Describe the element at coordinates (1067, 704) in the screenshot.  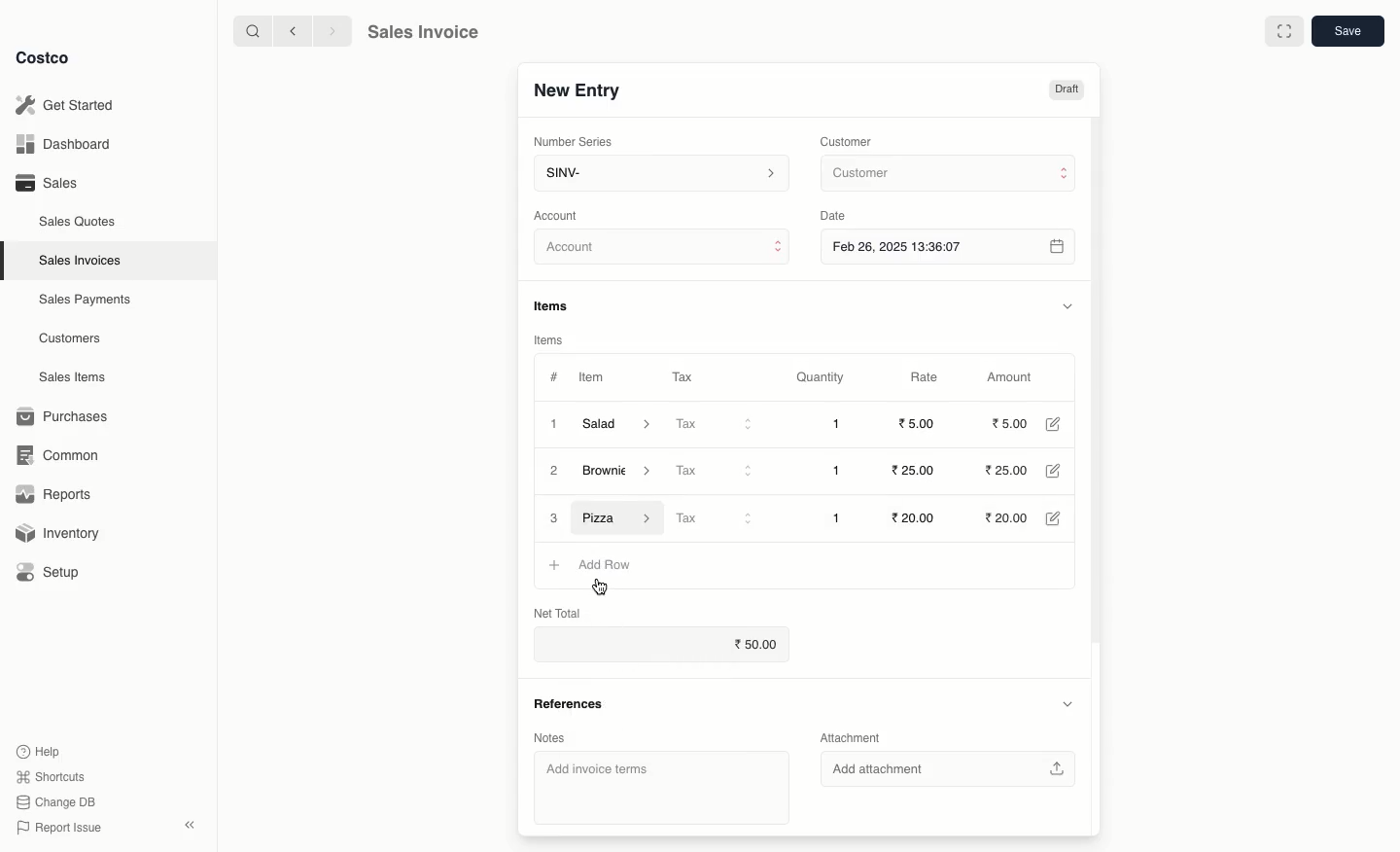
I see `Hide` at that location.